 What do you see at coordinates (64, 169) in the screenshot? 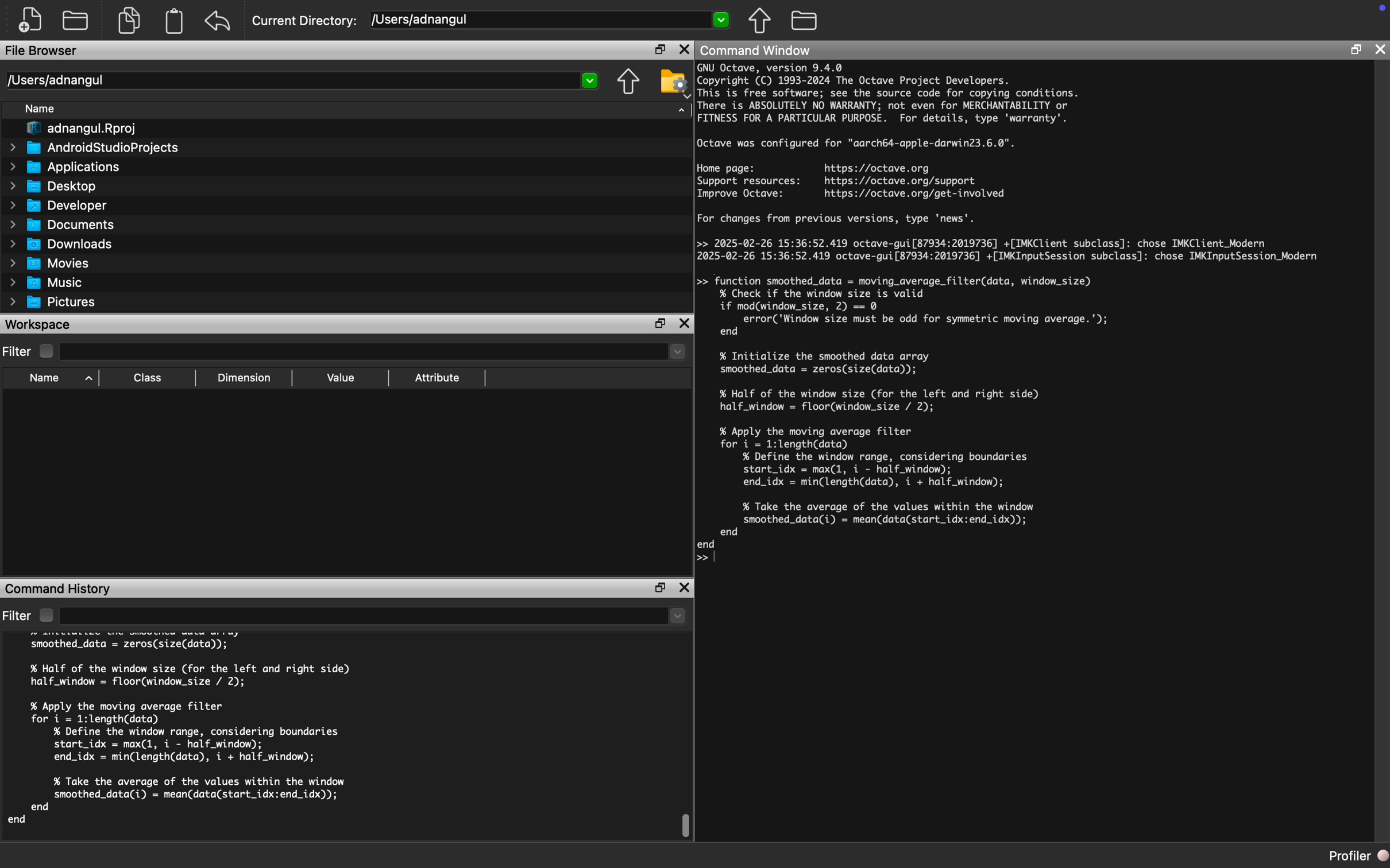
I see `Applications` at bounding box center [64, 169].